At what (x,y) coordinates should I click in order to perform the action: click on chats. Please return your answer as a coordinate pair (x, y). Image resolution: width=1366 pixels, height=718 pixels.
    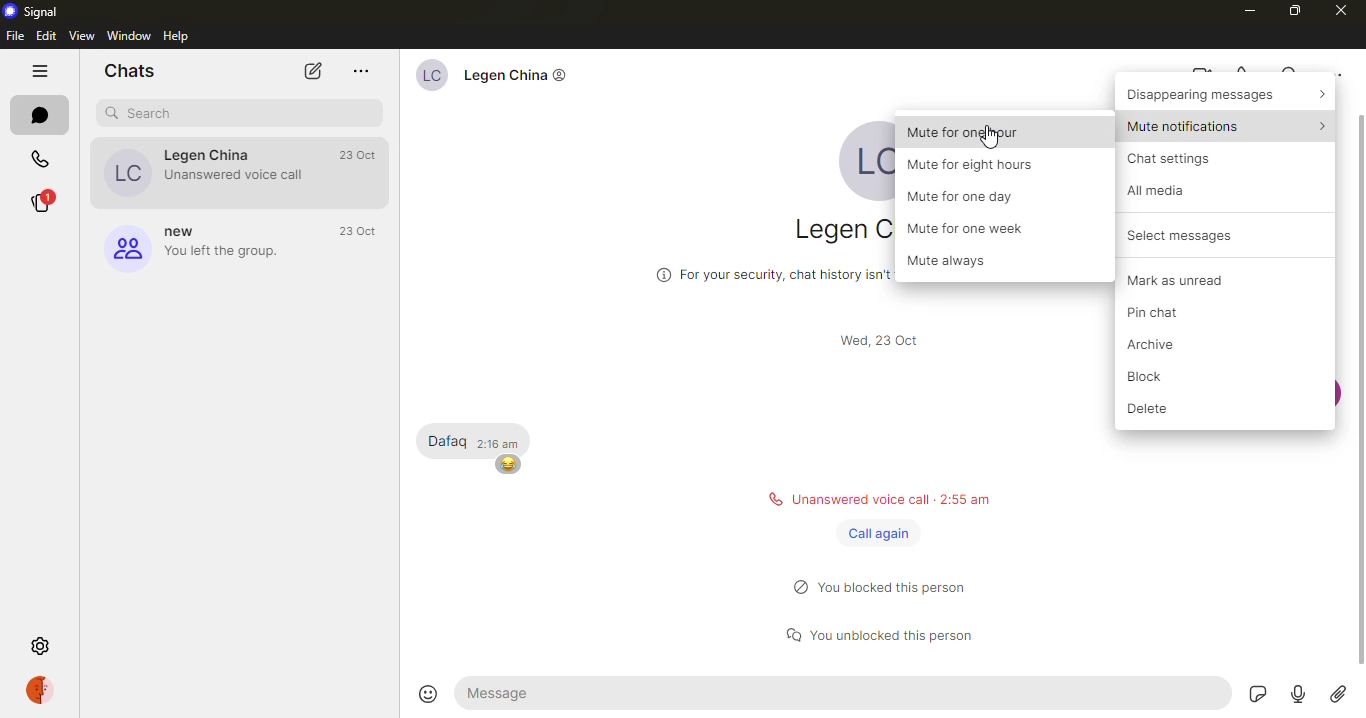
    Looking at the image, I should click on (130, 69).